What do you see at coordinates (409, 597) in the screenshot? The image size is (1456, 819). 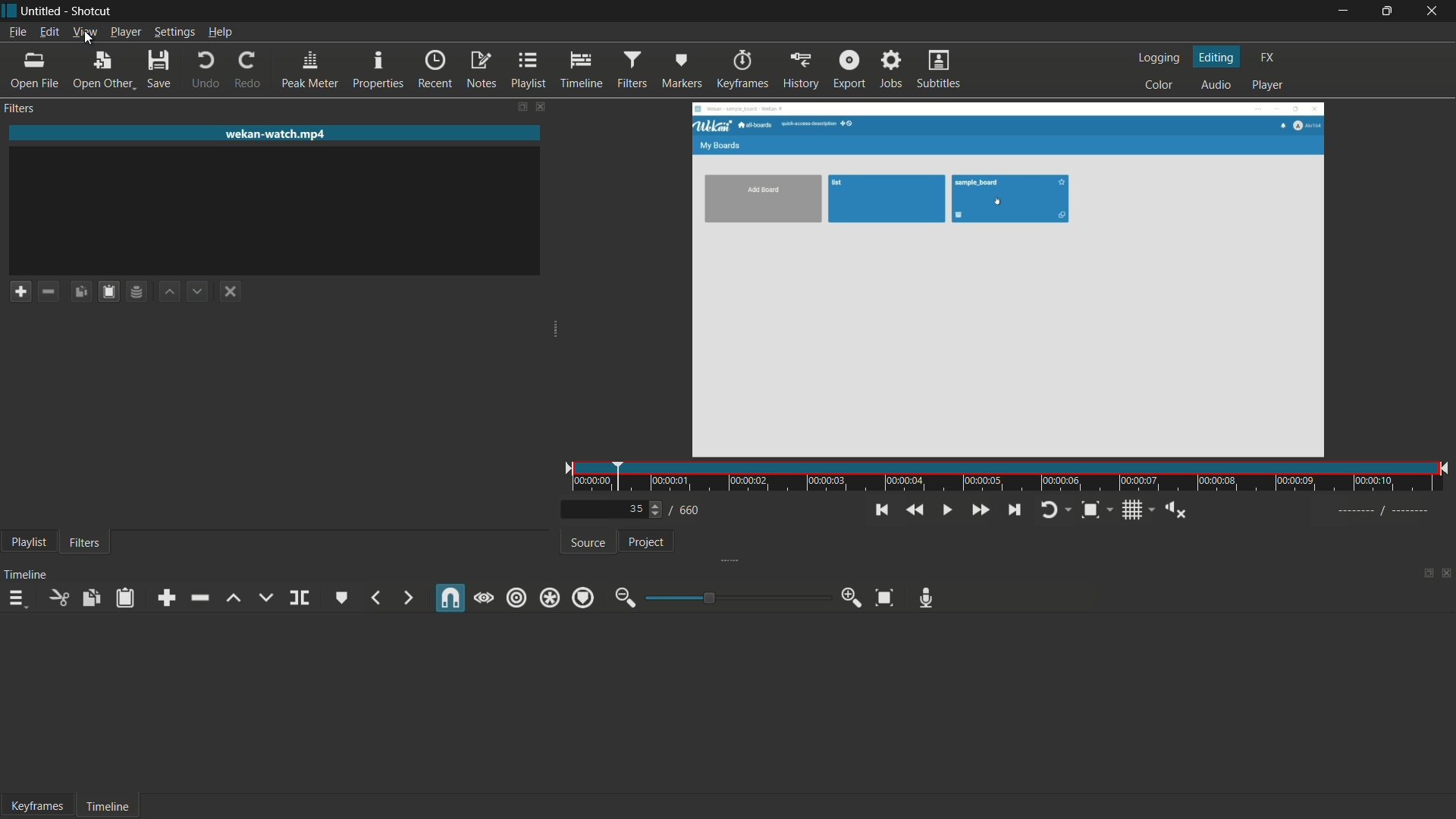 I see `next marker` at bounding box center [409, 597].